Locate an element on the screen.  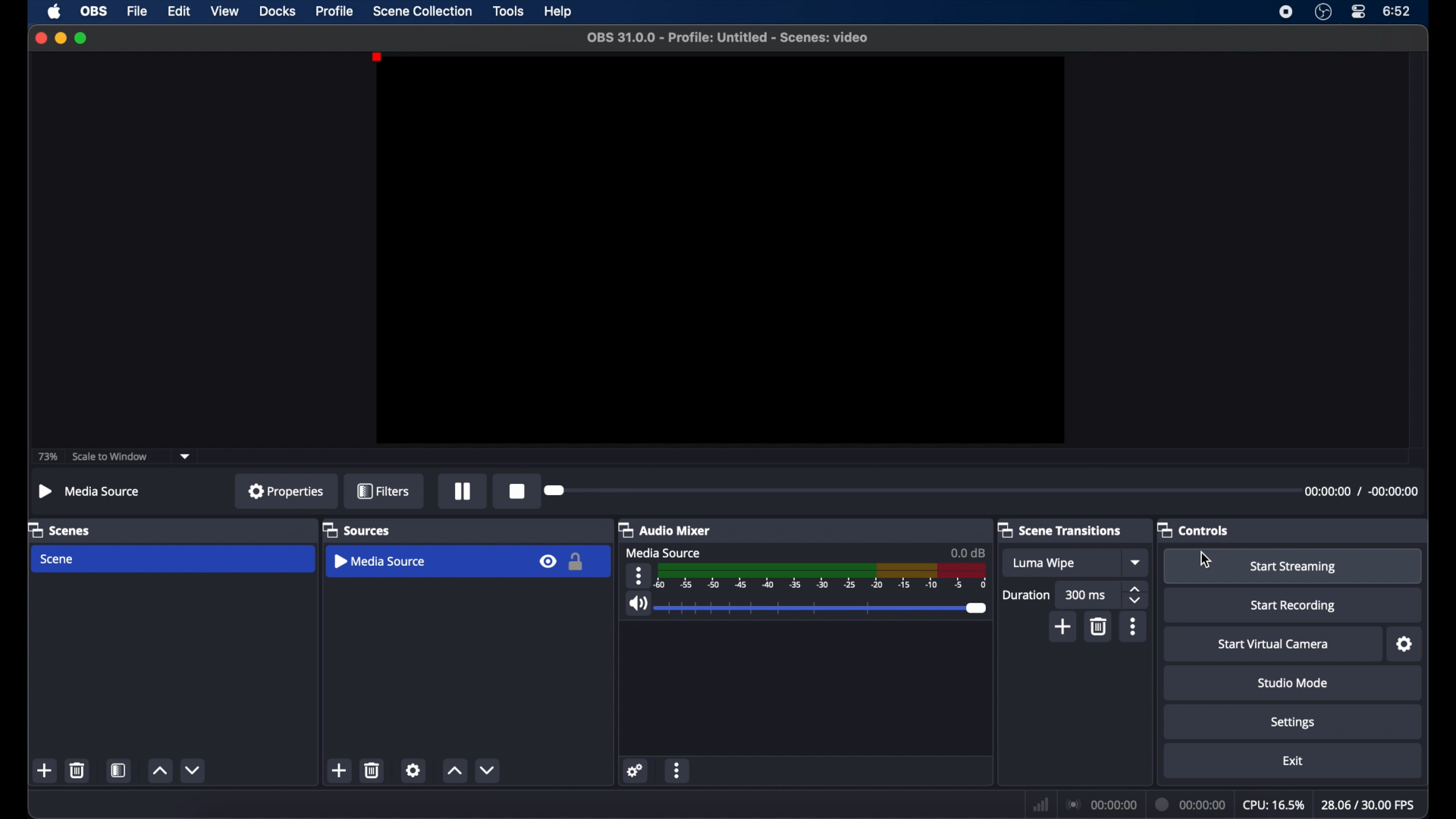
0.0 is located at coordinates (968, 552).